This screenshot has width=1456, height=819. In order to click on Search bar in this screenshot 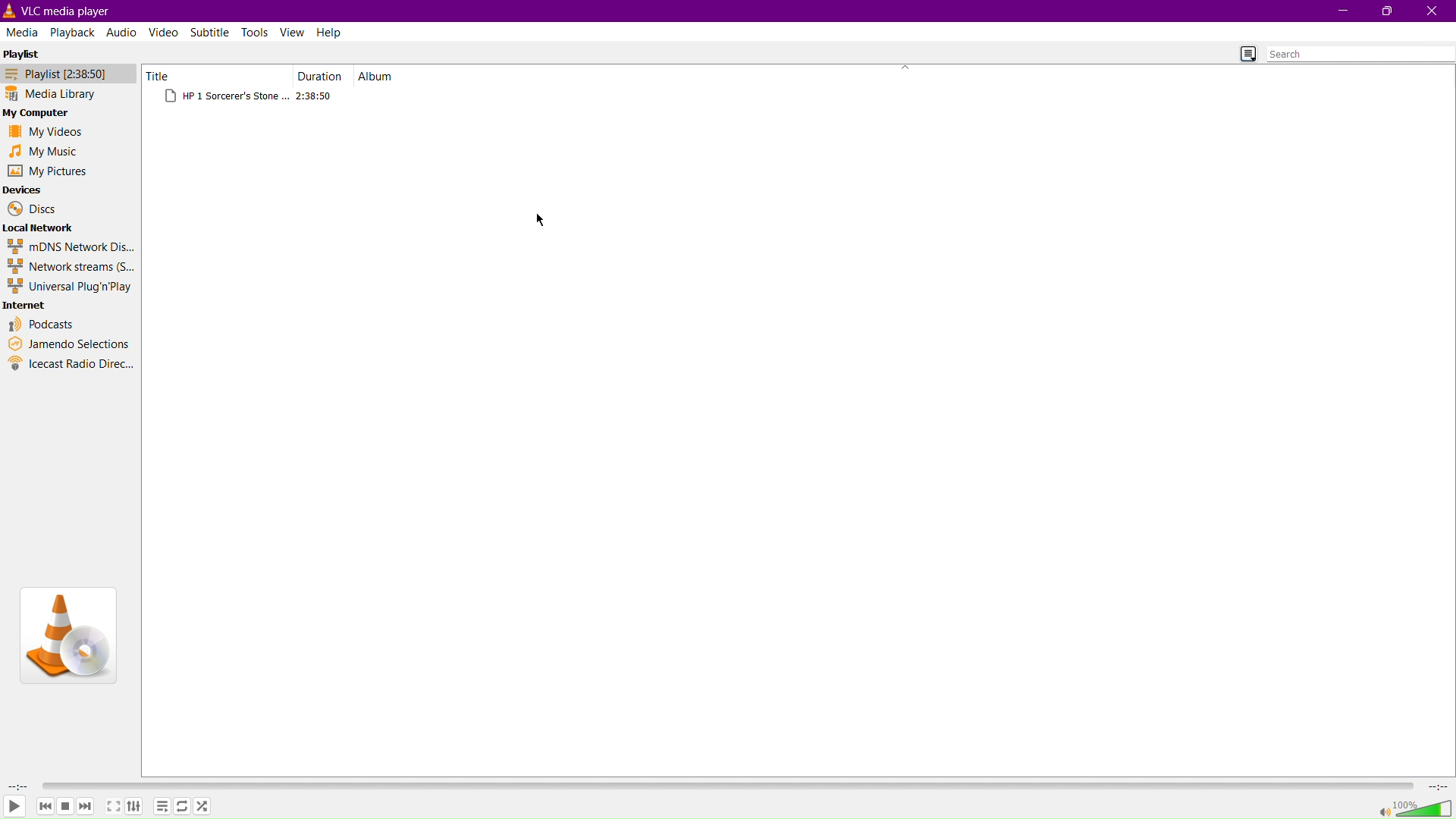, I will do `click(1360, 54)`.